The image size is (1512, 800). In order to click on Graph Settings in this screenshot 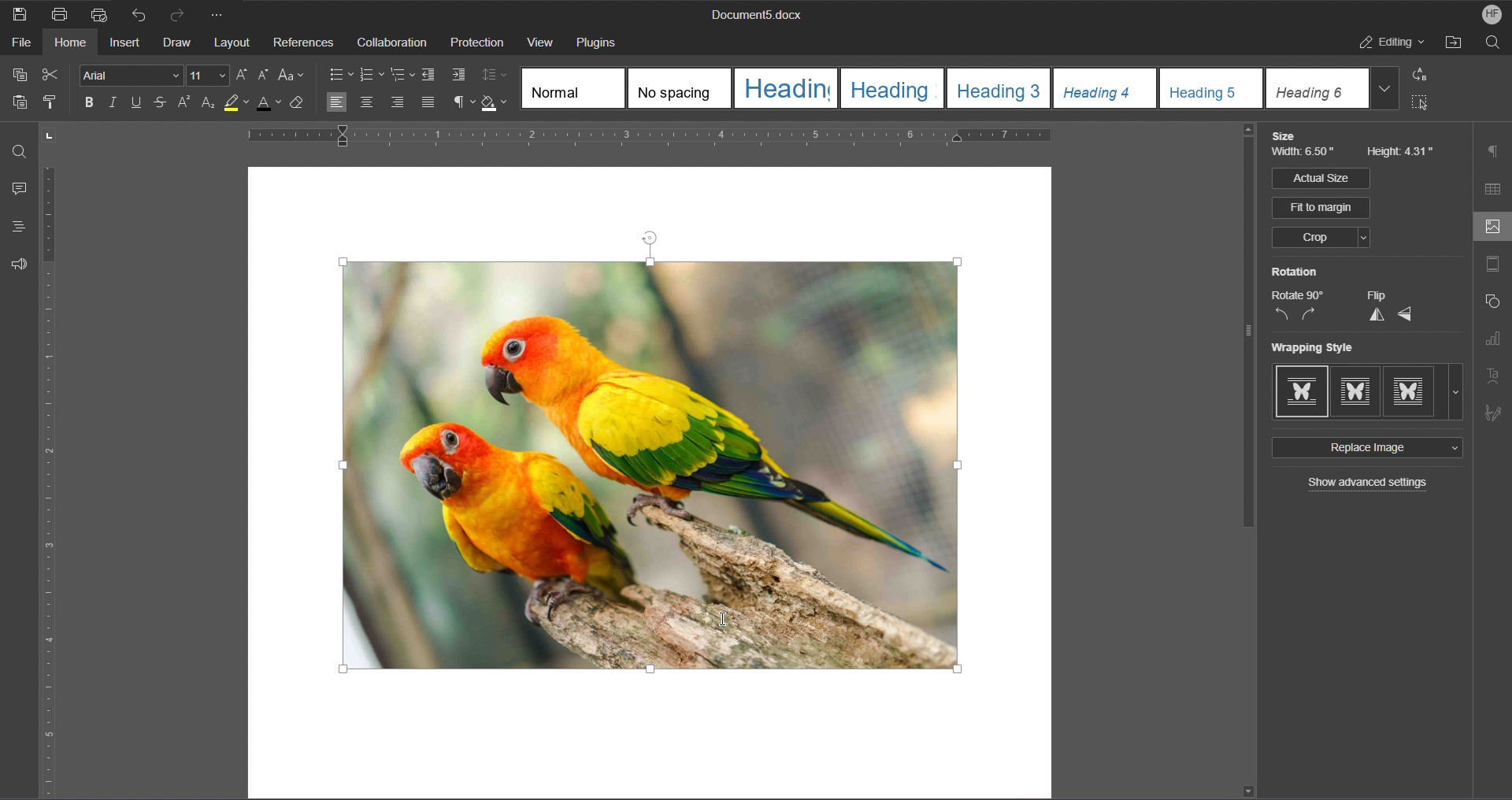, I will do `click(1492, 342)`.